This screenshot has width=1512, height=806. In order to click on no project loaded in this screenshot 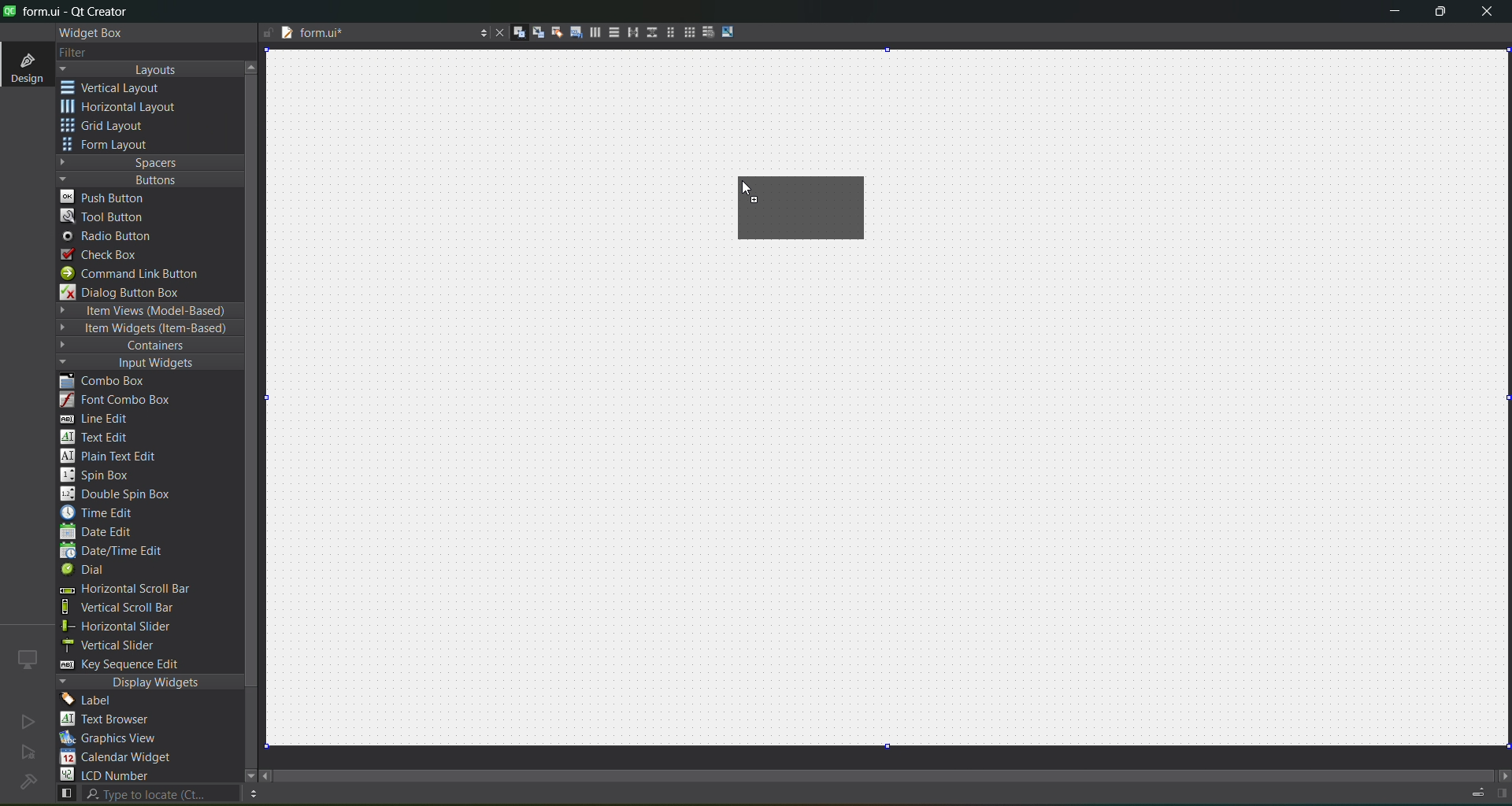, I will do `click(28, 782)`.